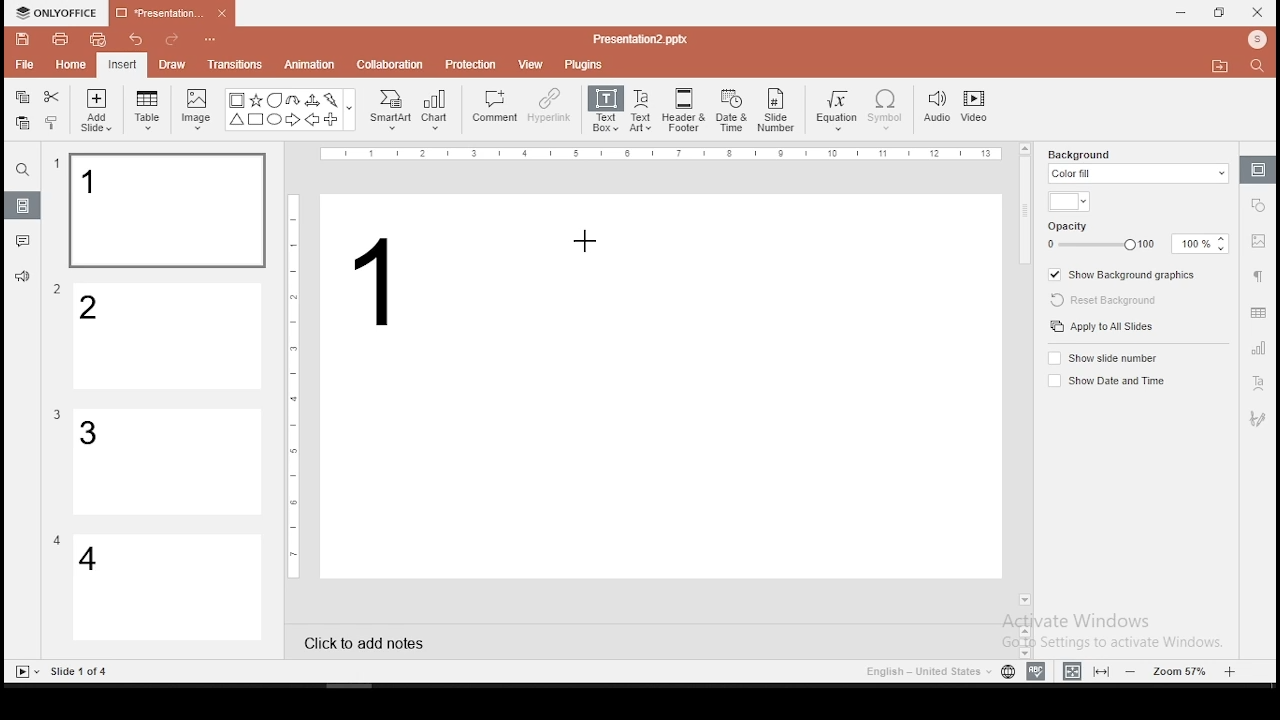 This screenshot has width=1280, height=720. Describe the element at coordinates (57, 415) in the screenshot. I see `` at that location.